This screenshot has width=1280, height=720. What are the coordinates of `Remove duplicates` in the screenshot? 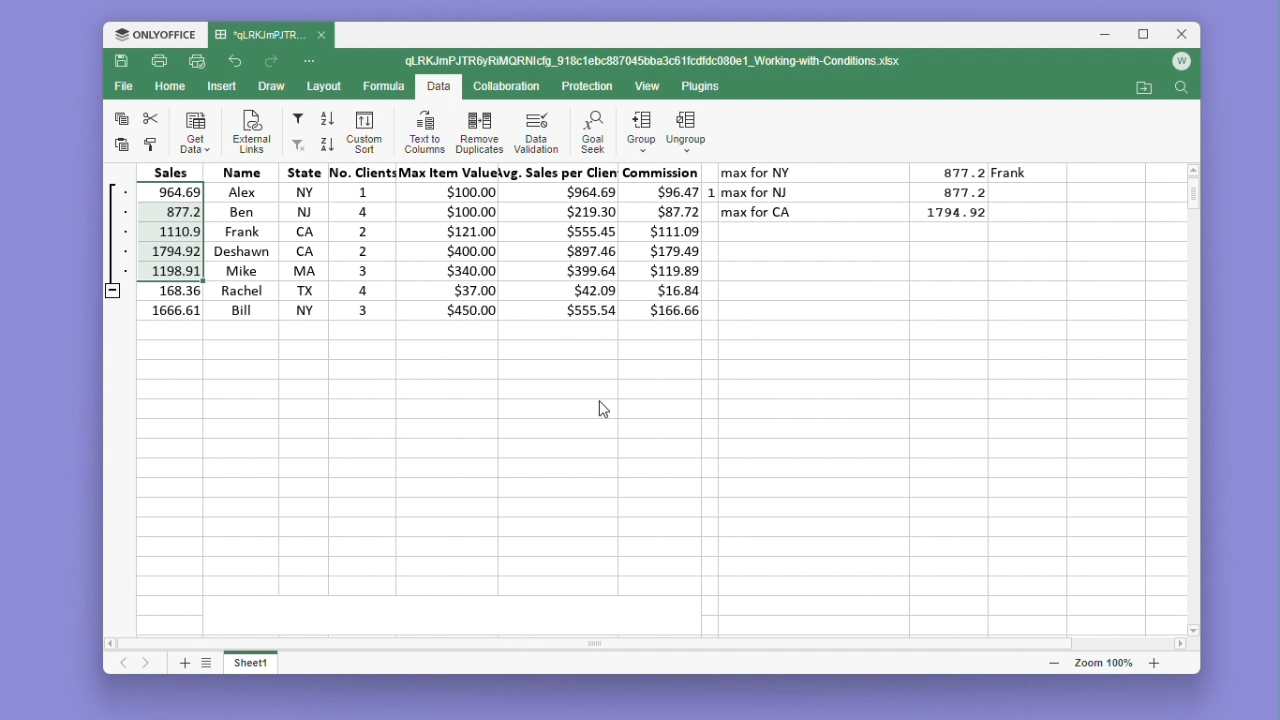 It's located at (479, 131).